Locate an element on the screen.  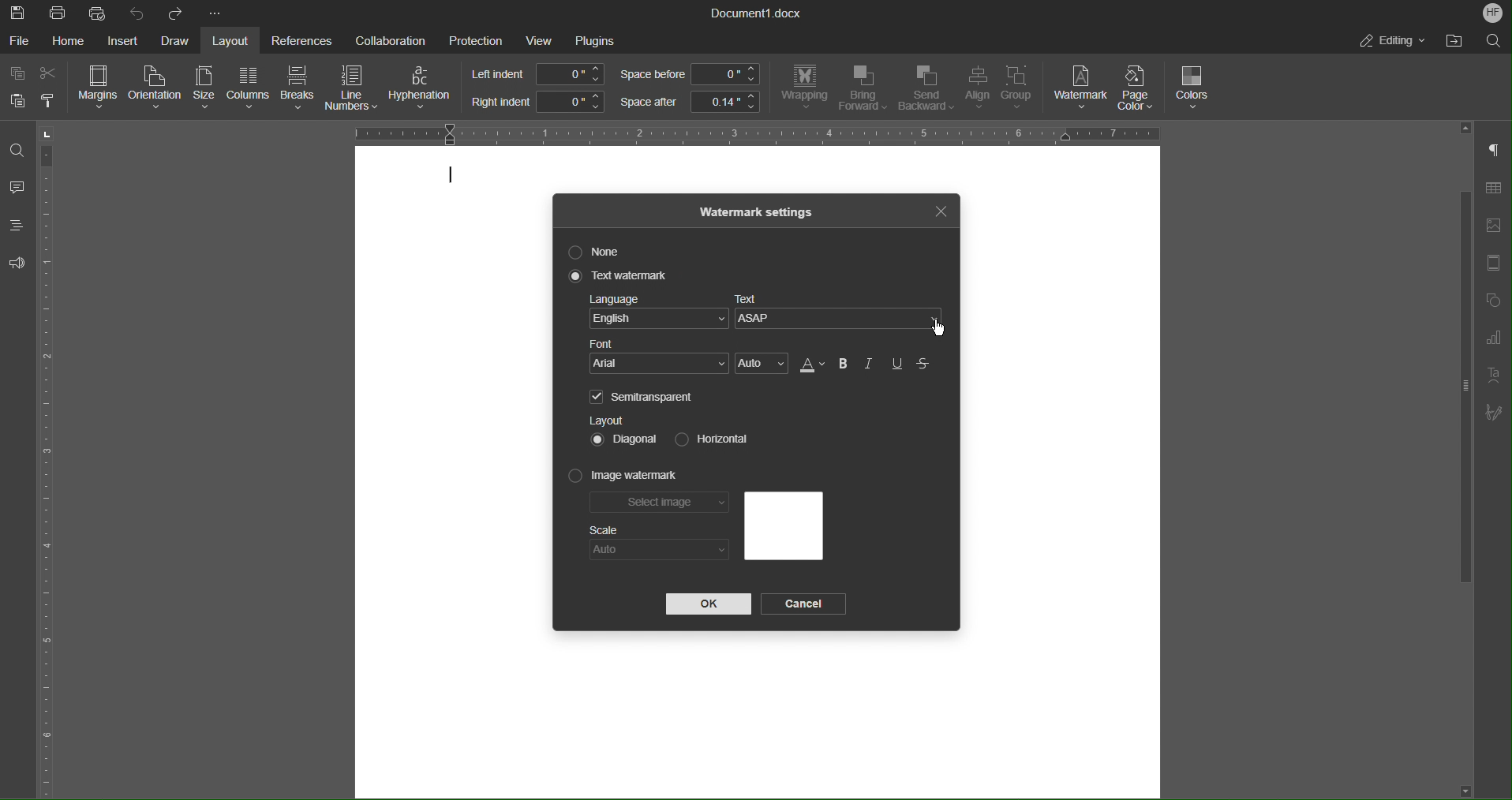
Graph Settings is located at coordinates (1493, 341).